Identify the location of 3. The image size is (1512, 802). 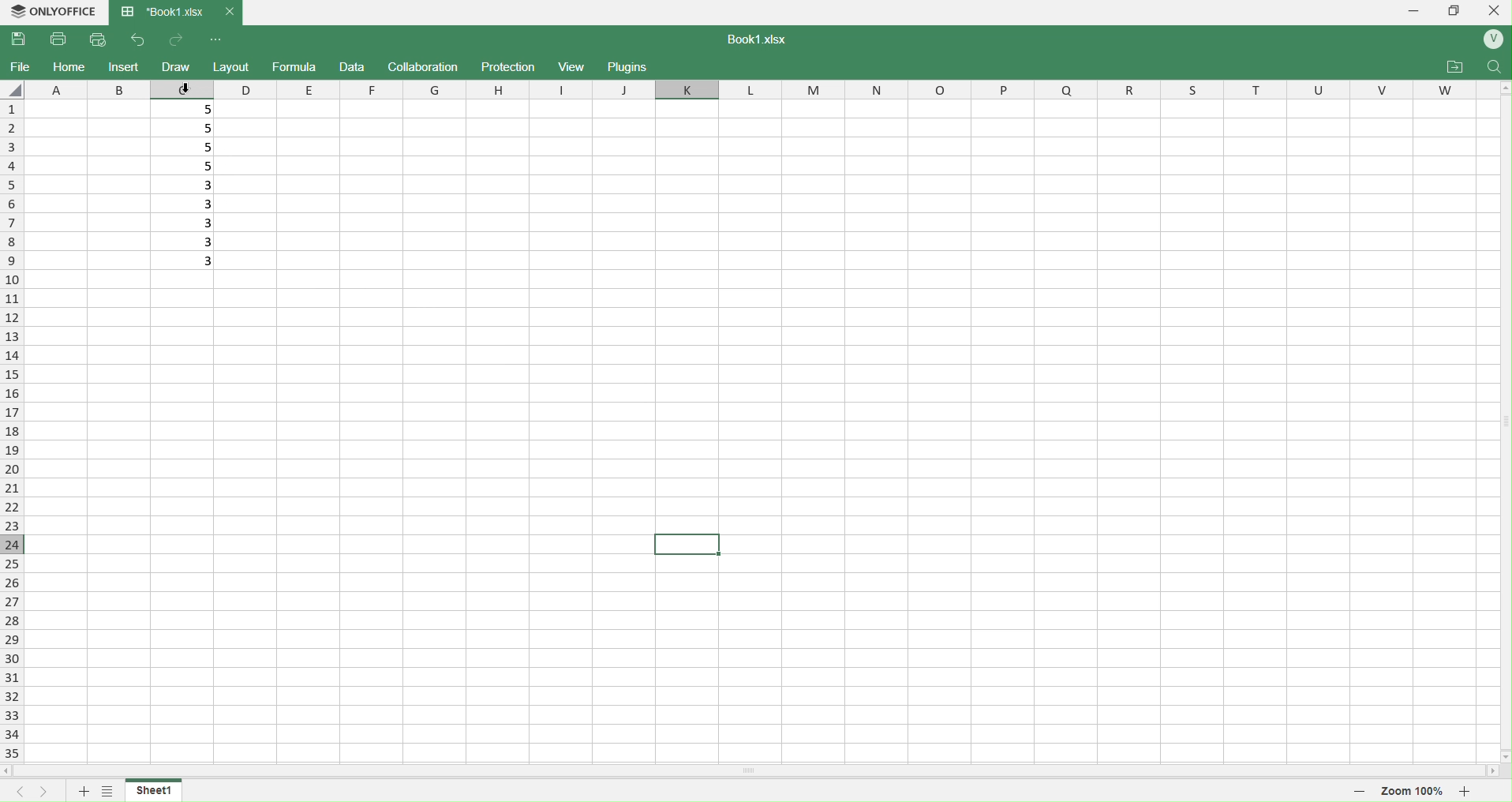
(188, 258).